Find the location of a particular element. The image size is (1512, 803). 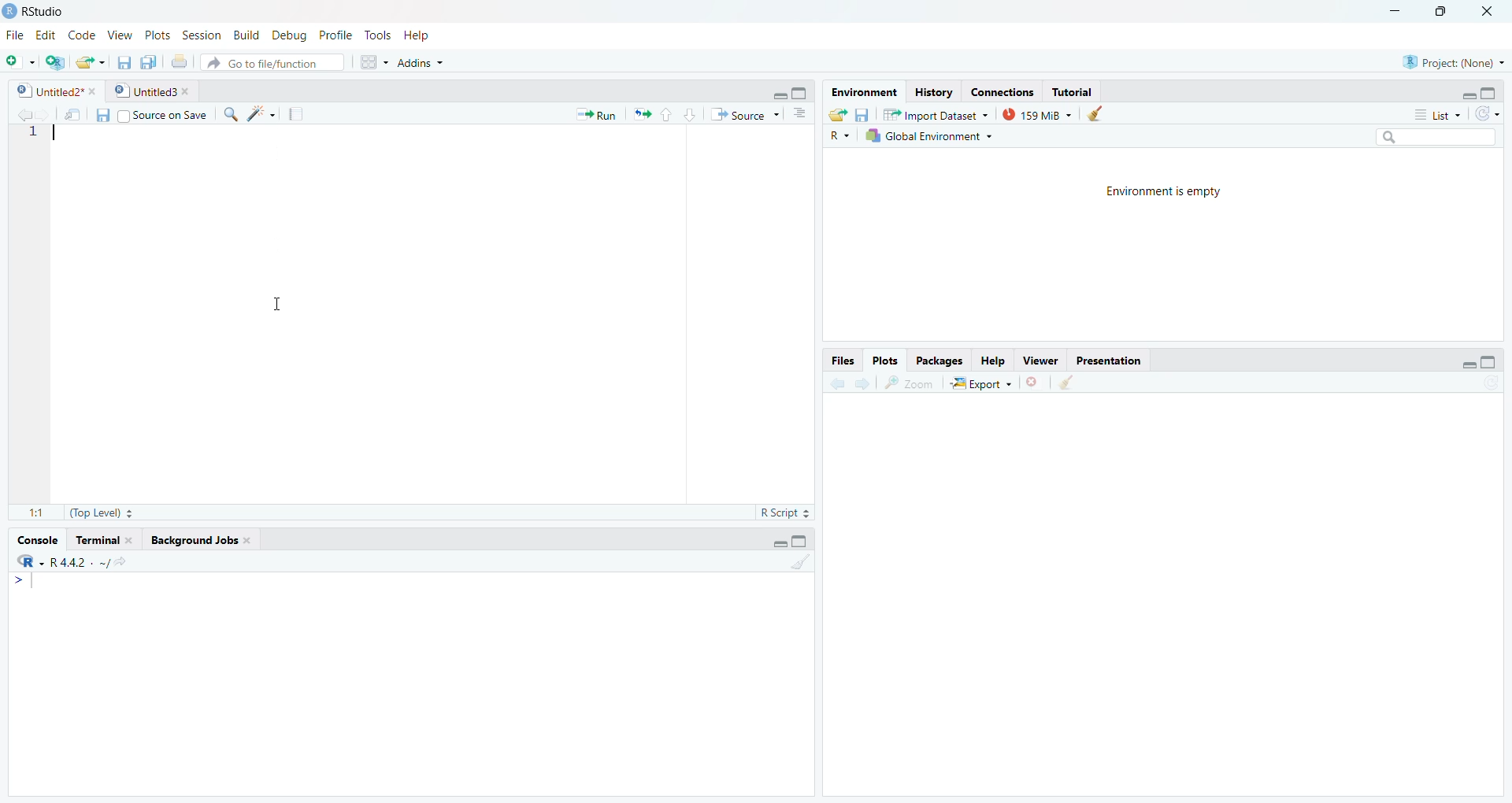

Global Environment  is located at coordinates (930, 136).